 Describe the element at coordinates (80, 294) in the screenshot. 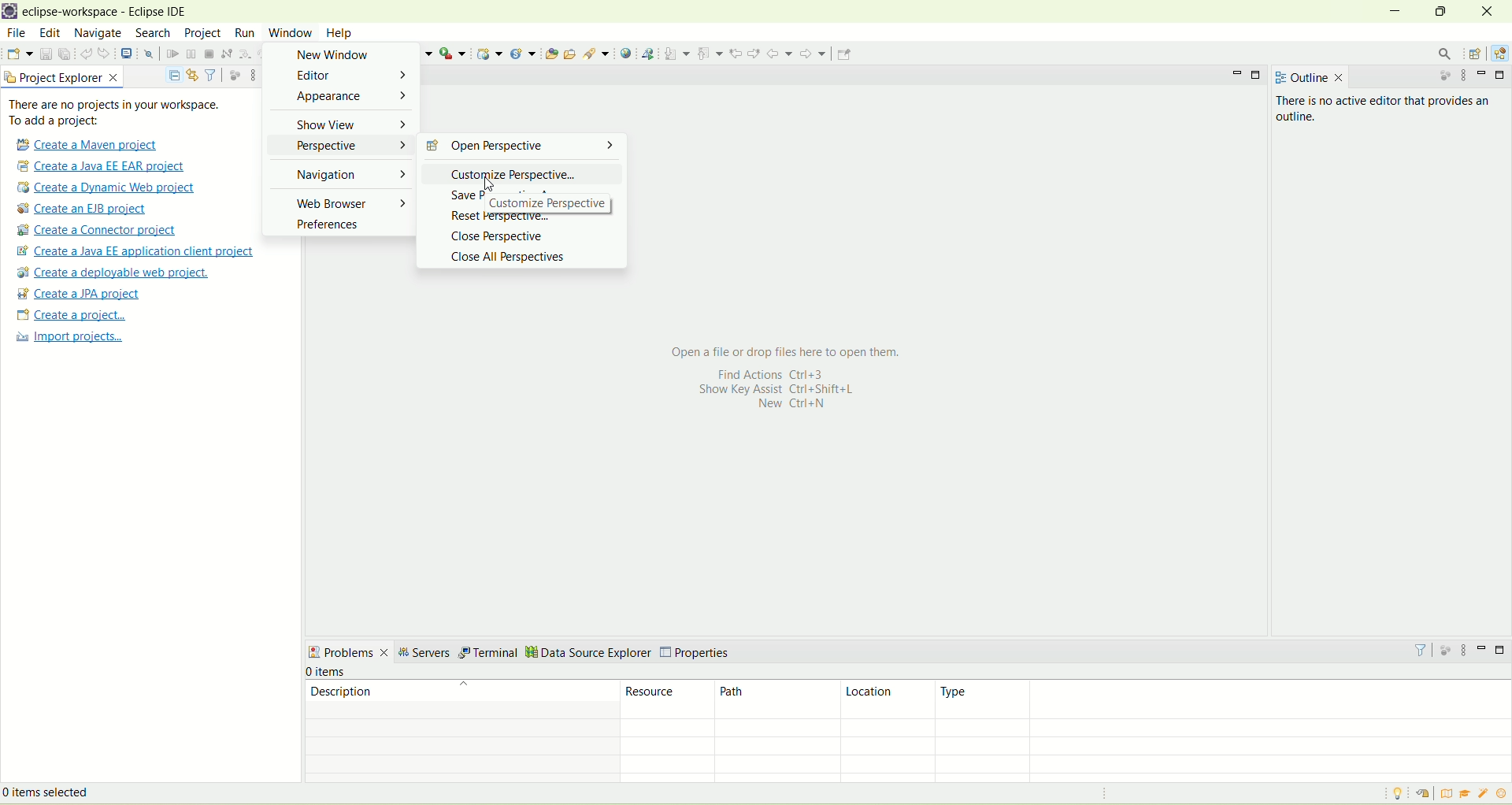

I see `create a JPA project` at that location.